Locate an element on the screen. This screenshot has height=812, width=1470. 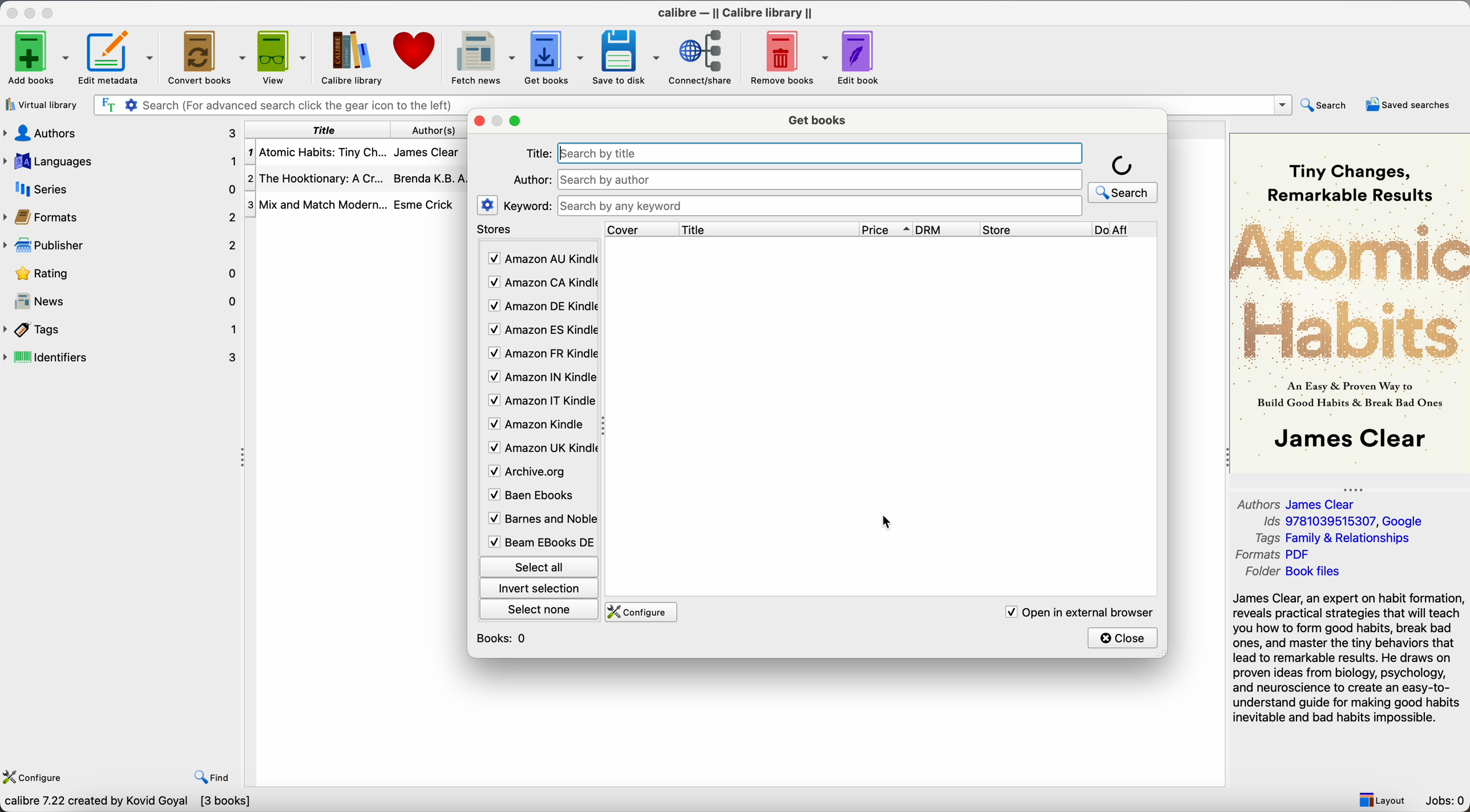
saved searches is located at coordinates (1408, 103).